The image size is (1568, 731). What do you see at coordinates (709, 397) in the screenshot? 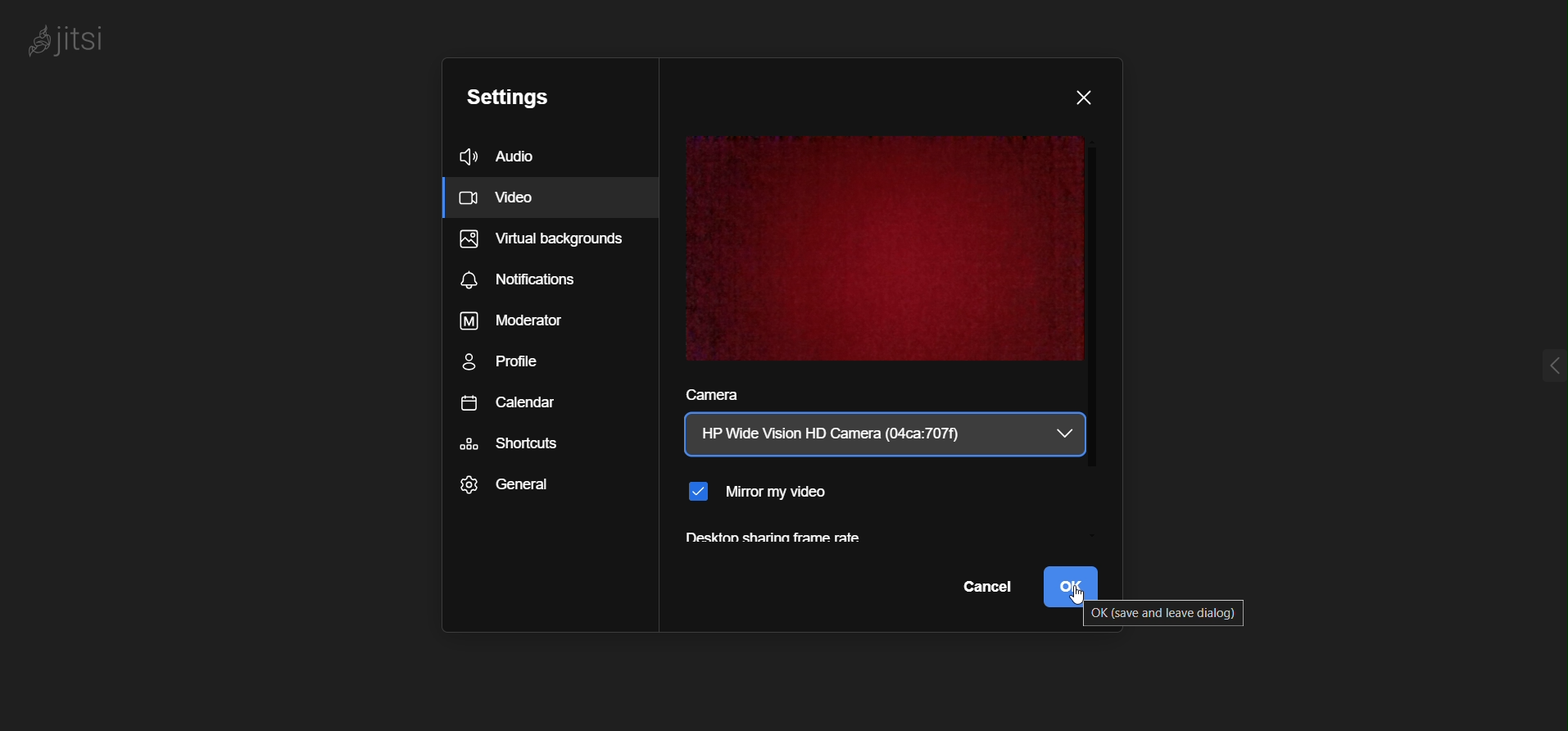
I see `camera` at bounding box center [709, 397].